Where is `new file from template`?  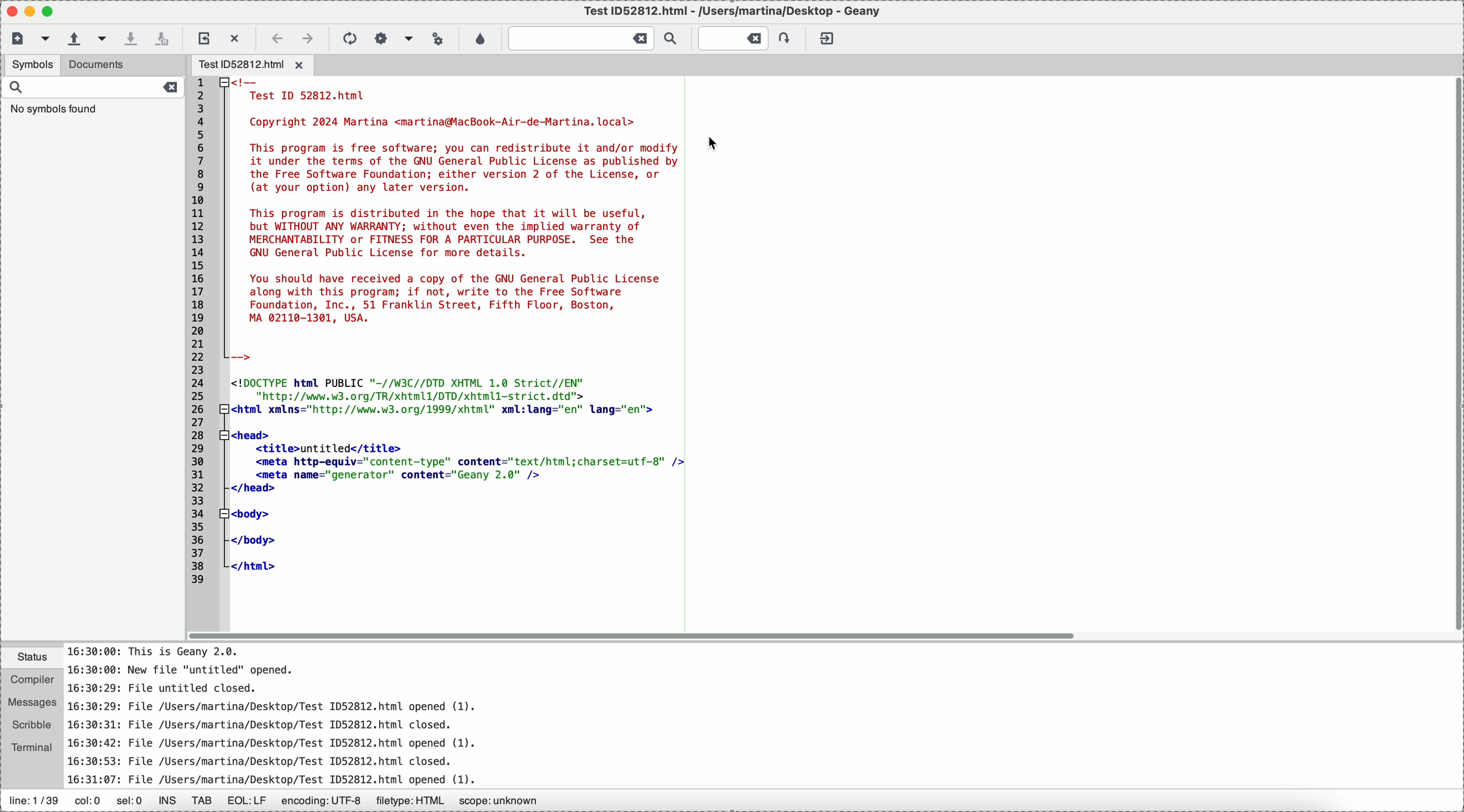 new file from template is located at coordinates (45, 39).